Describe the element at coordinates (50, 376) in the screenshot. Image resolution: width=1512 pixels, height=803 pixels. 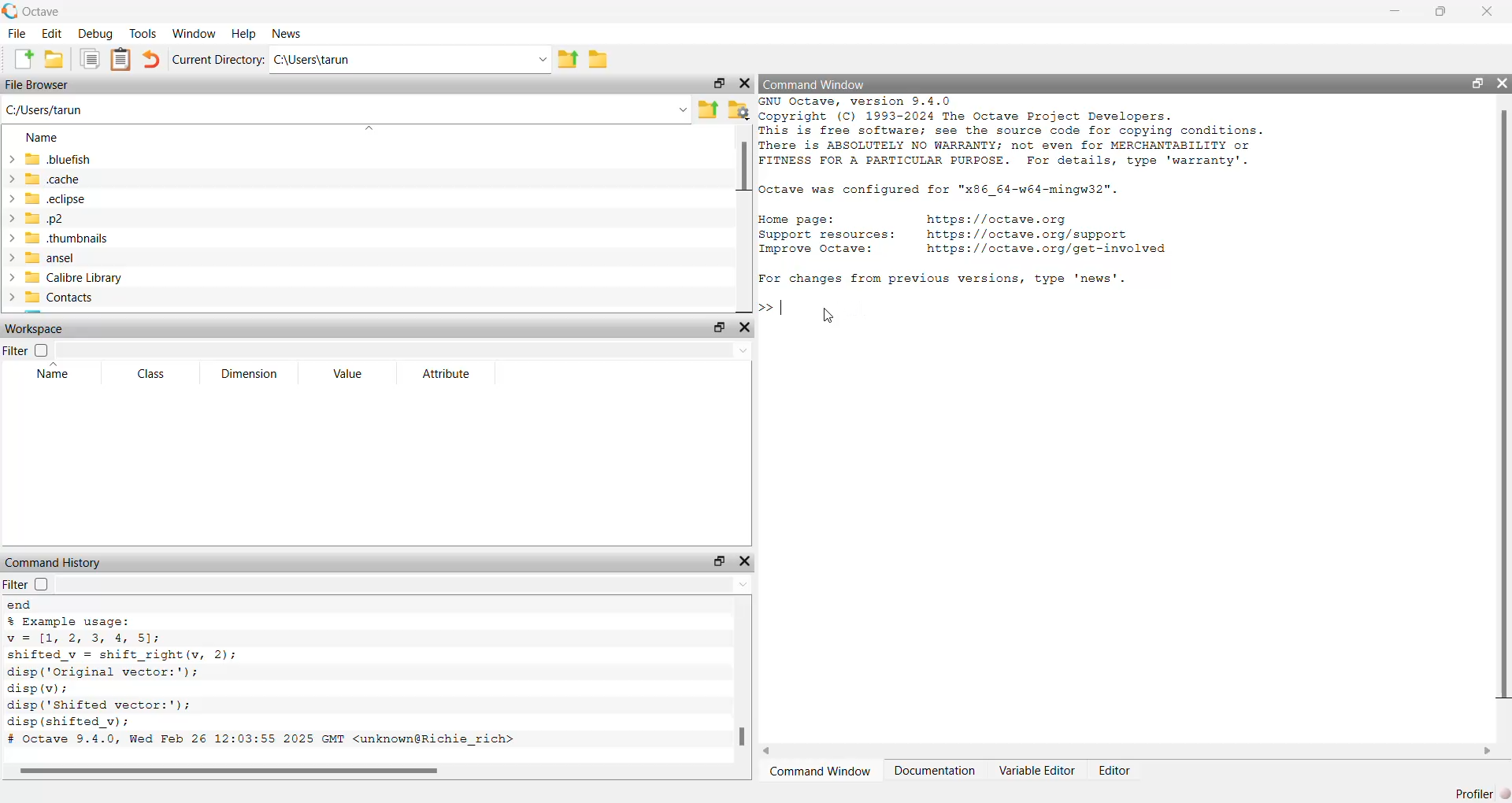
I see `name` at that location.